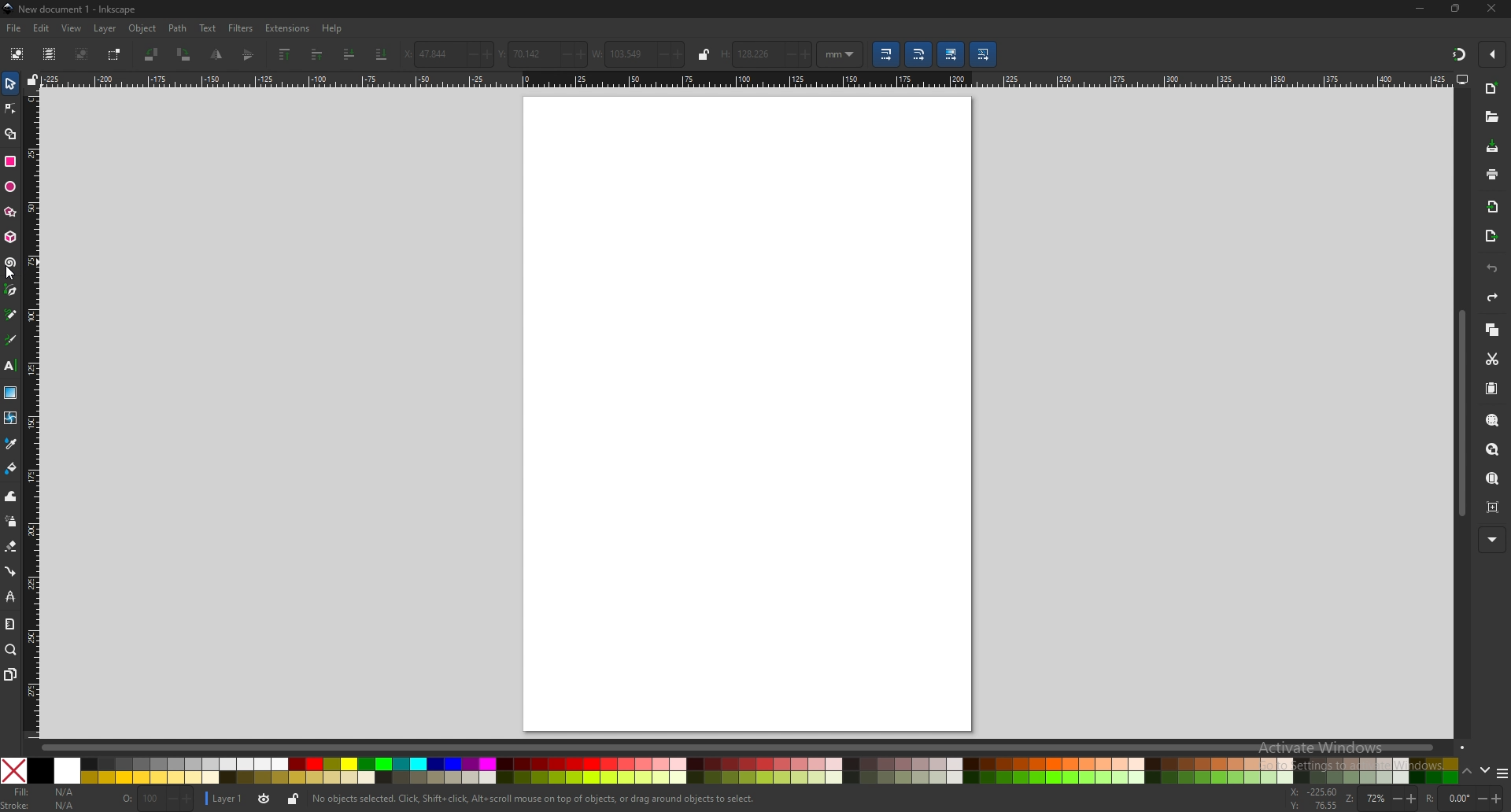  What do you see at coordinates (115, 54) in the screenshot?
I see `toggle selection box` at bounding box center [115, 54].